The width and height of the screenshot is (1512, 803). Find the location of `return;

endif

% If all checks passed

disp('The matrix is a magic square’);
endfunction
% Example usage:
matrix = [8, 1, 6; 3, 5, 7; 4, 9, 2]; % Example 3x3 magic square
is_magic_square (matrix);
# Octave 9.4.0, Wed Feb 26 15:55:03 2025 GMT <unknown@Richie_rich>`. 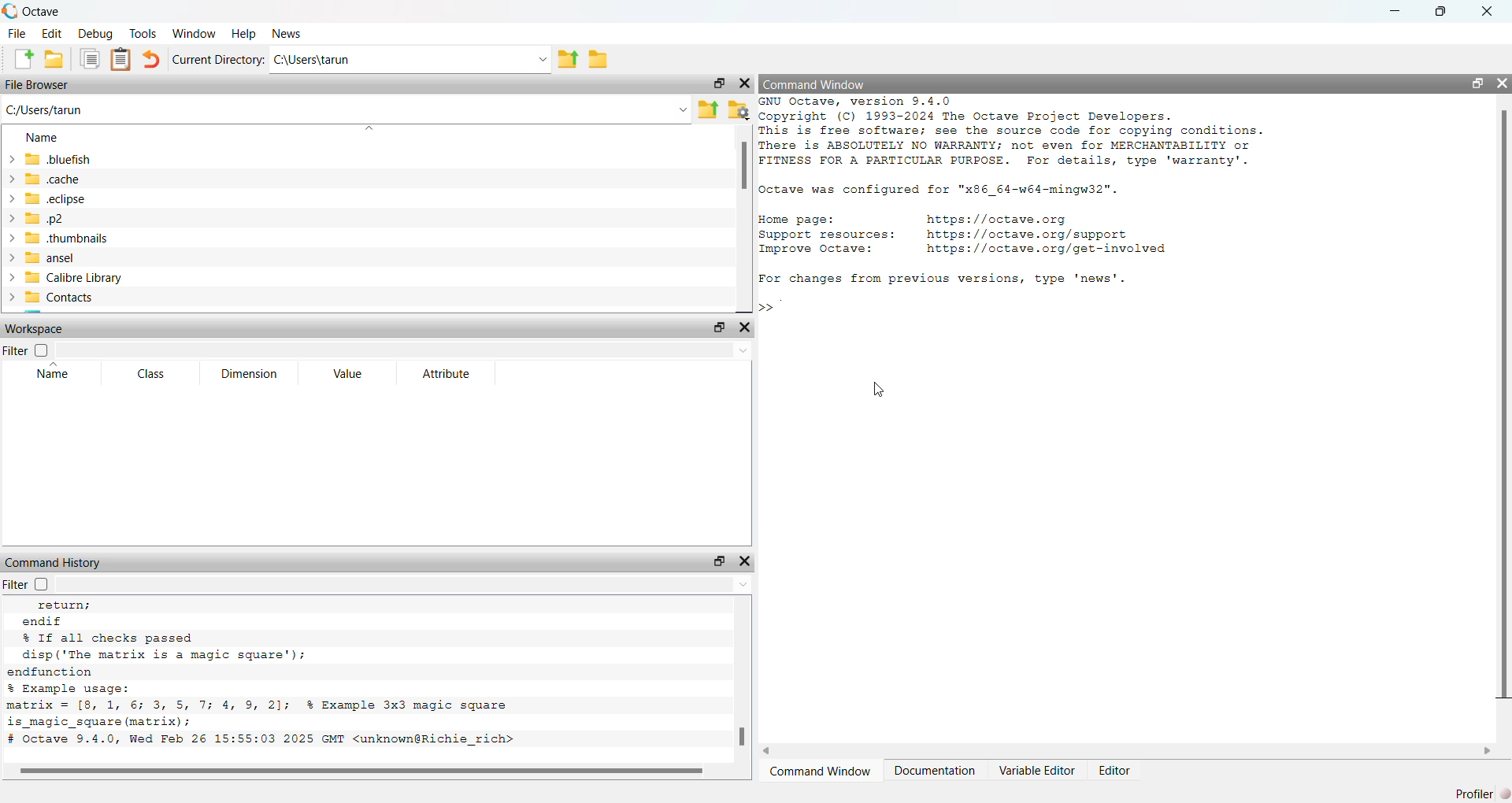

return;

endif

% If all checks passed

disp('The matrix is a magic square’);
endfunction
% Example usage:
matrix = [8, 1, 6; 3, 5, 7; 4, 9, 2]; % Example 3x3 magic square
is_magic_square (matrix);
# Octave 9.4.0, Wed Feb 26 15:55:03 2025 GMT <unknown@Richie_rich> is located at coordinates (265, 673).